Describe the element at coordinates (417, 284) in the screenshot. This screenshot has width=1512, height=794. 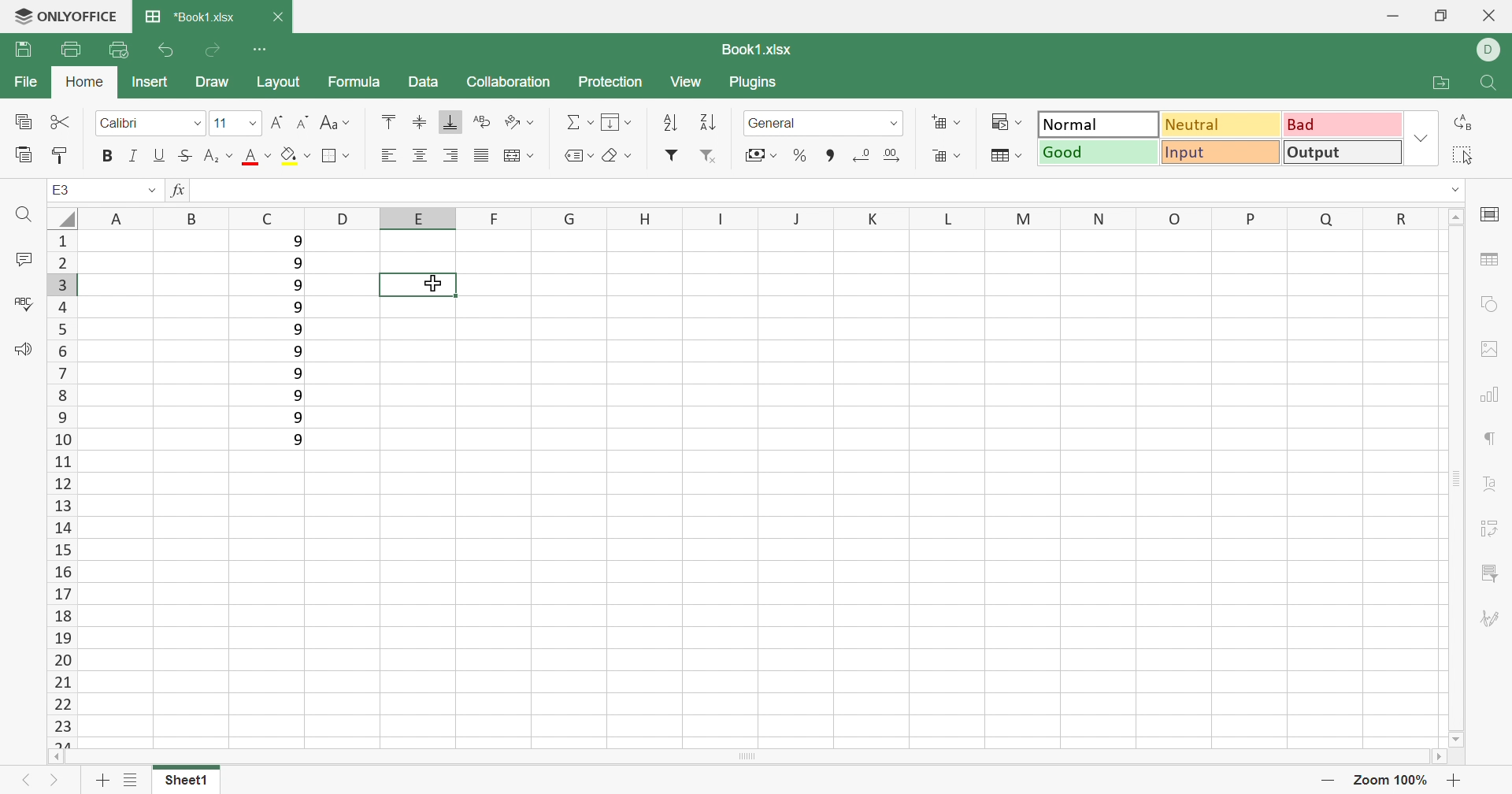
I see `Selected cell` at that location.